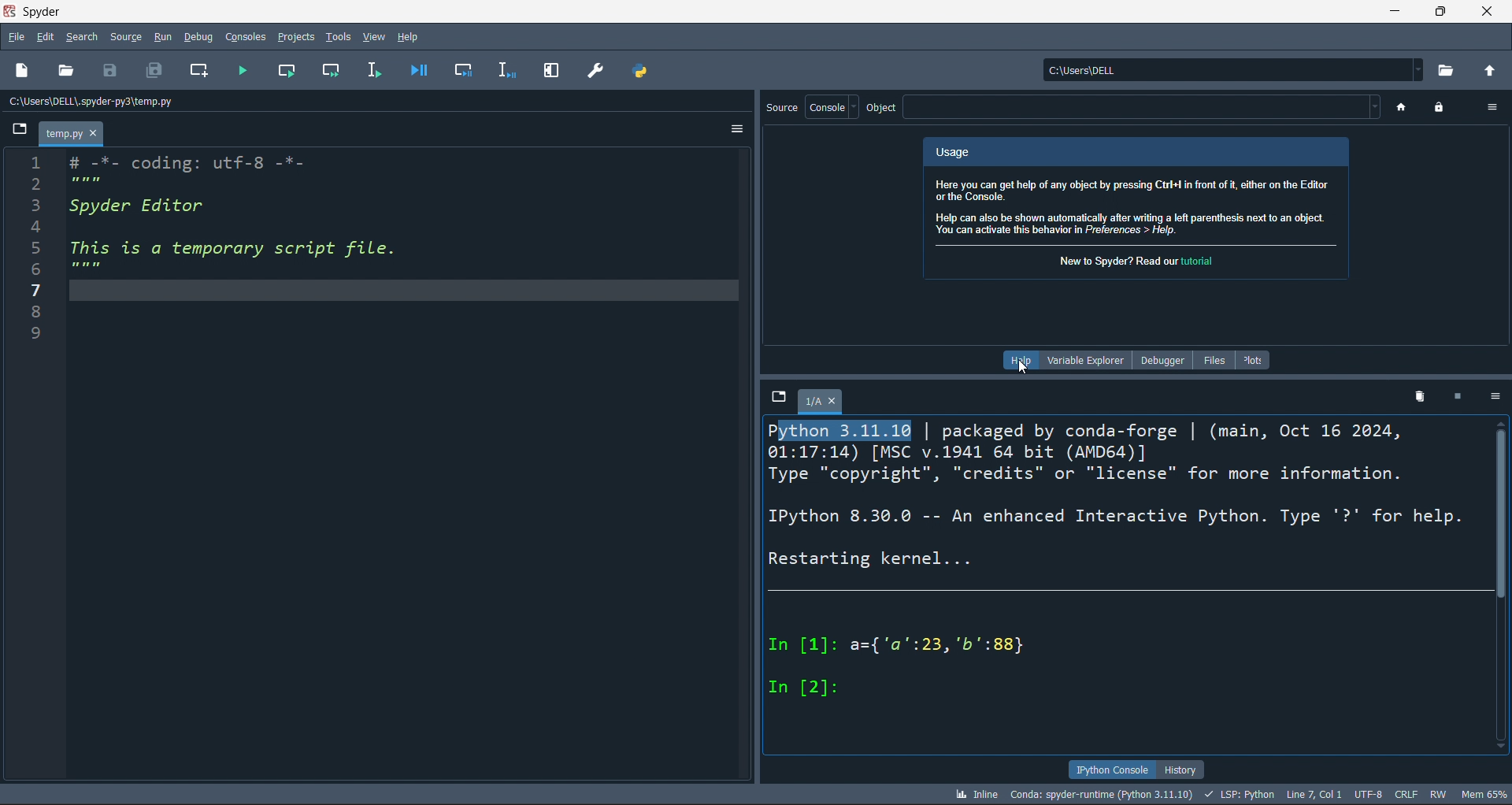 This screenshot has width=1512, height=805. Describe the element at coordinates (974, 793) in the screenshot. I see `inline` at that location.